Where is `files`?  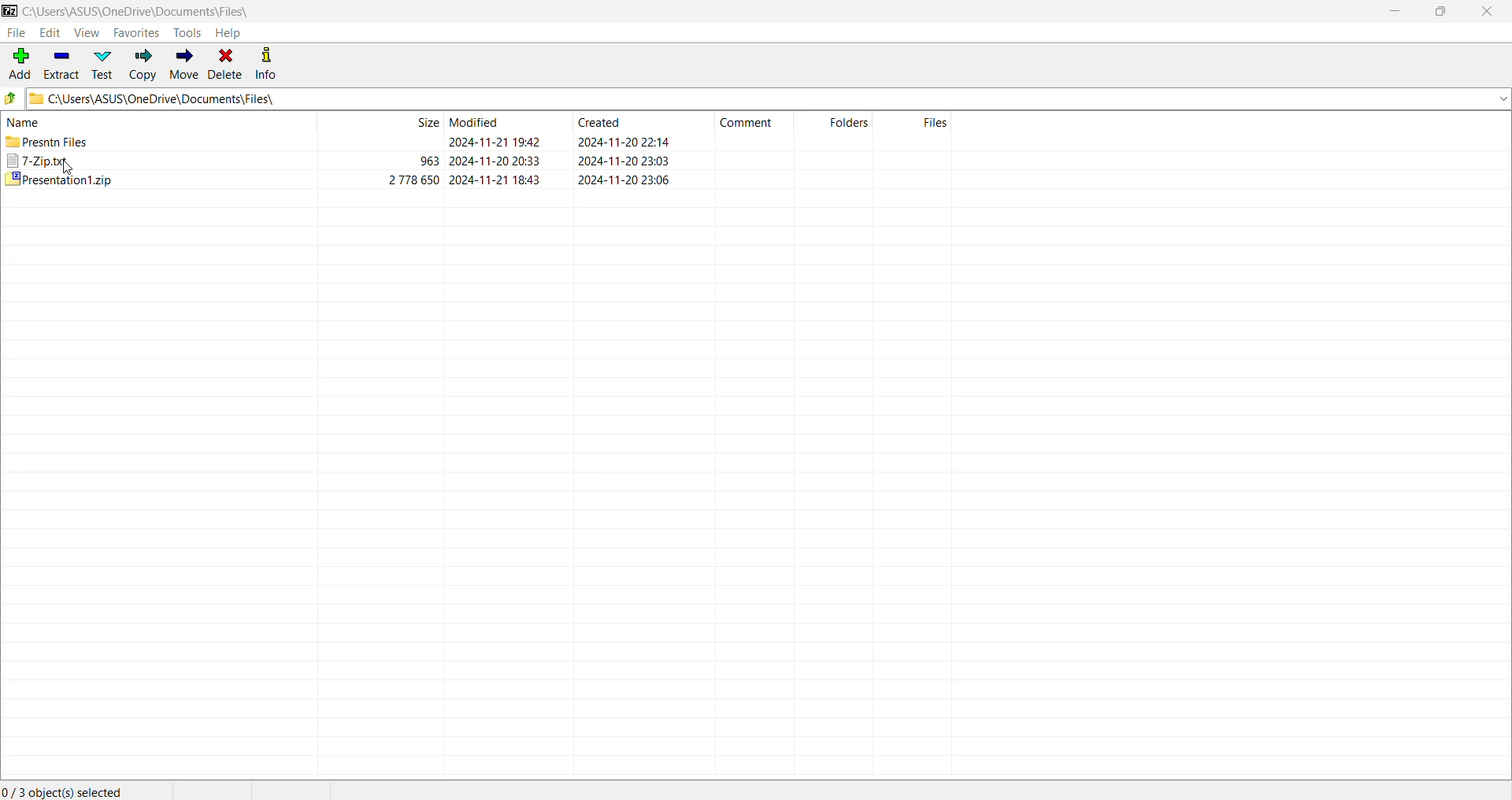
files is located at coordinates (936, 122).